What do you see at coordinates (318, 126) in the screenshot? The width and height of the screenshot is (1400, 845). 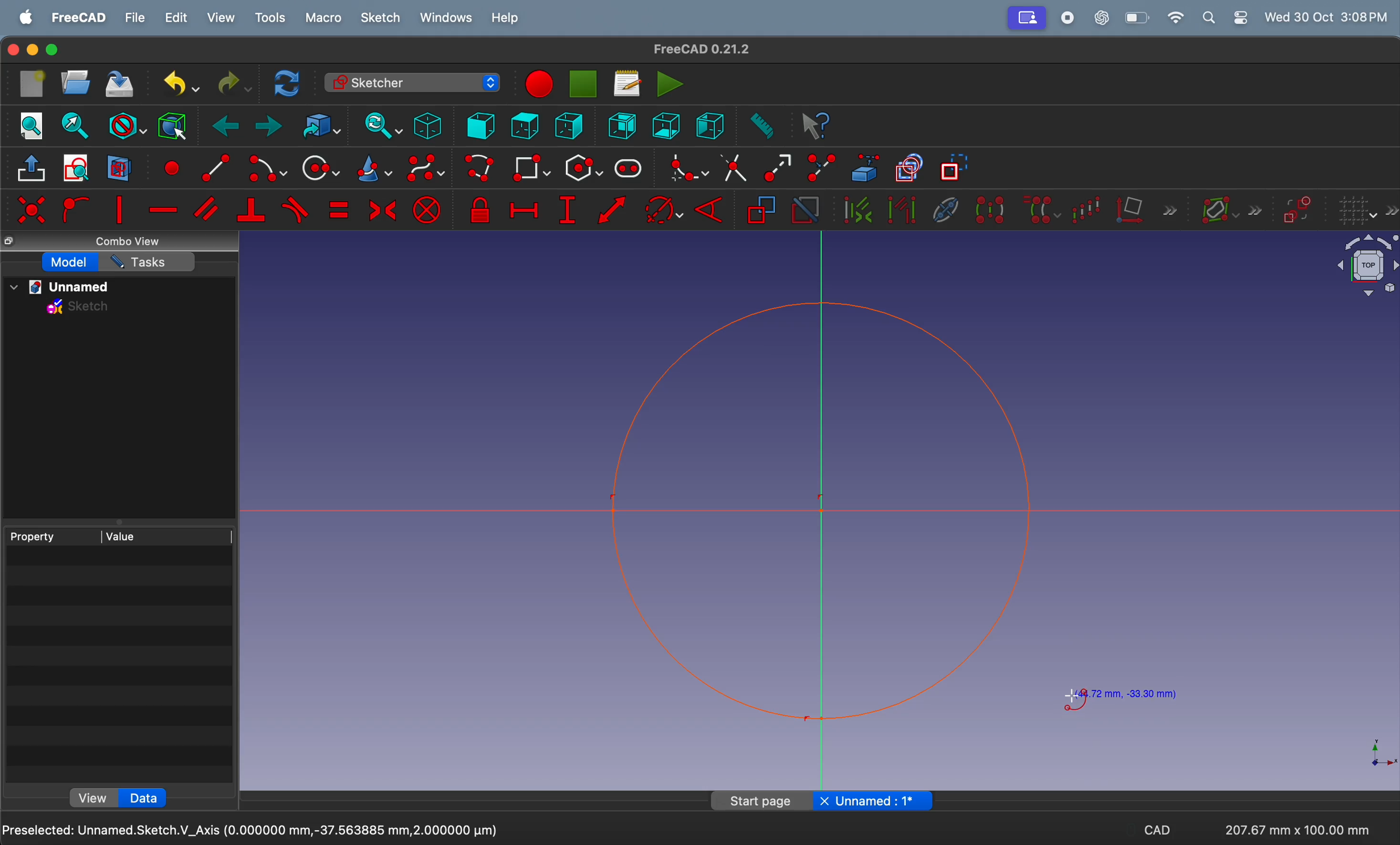 I see `go to toggled object` at bounding box center [318, 126].